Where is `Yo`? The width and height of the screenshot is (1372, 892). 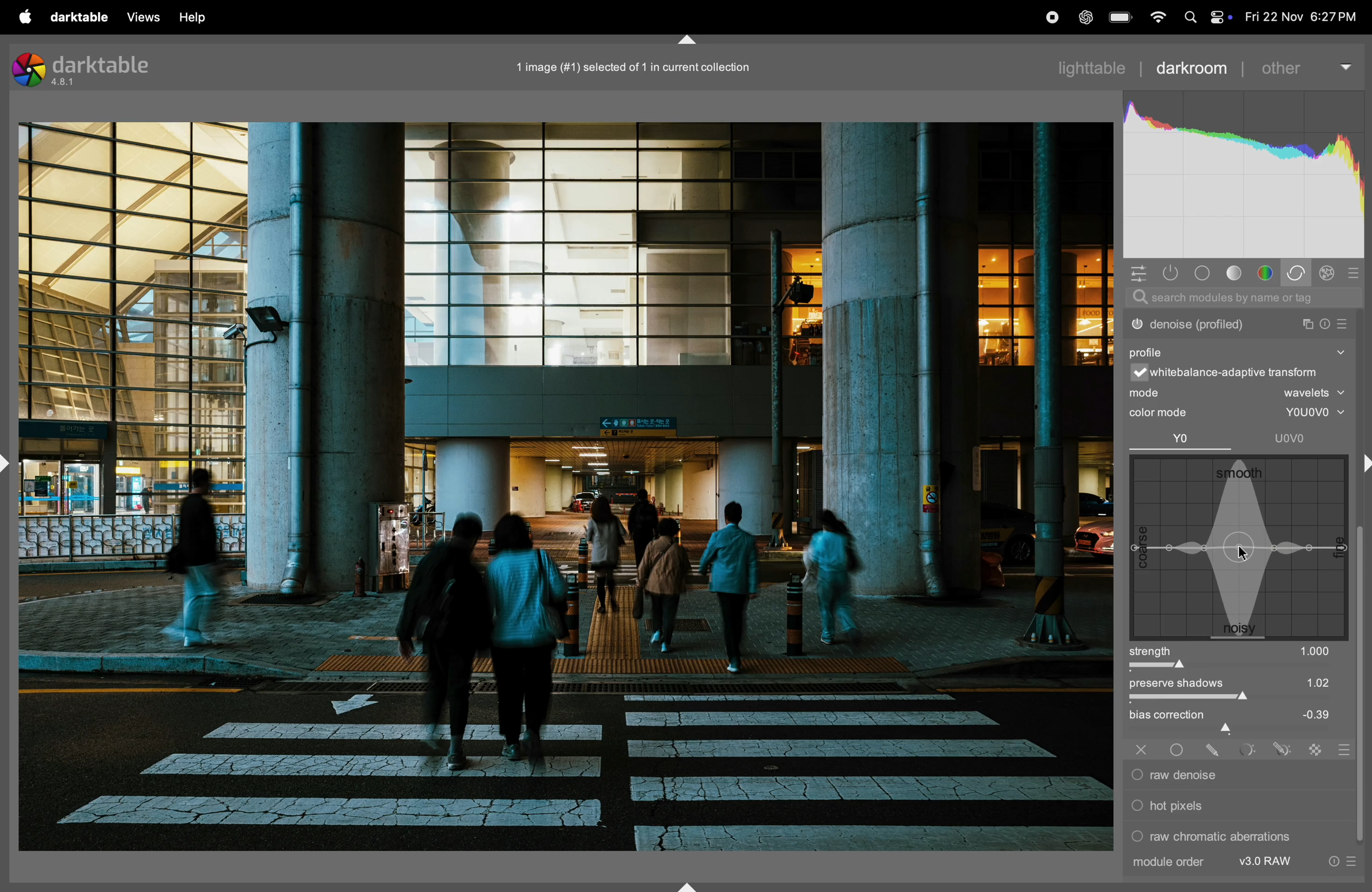
Yo is located at coordinates (1176, 439).